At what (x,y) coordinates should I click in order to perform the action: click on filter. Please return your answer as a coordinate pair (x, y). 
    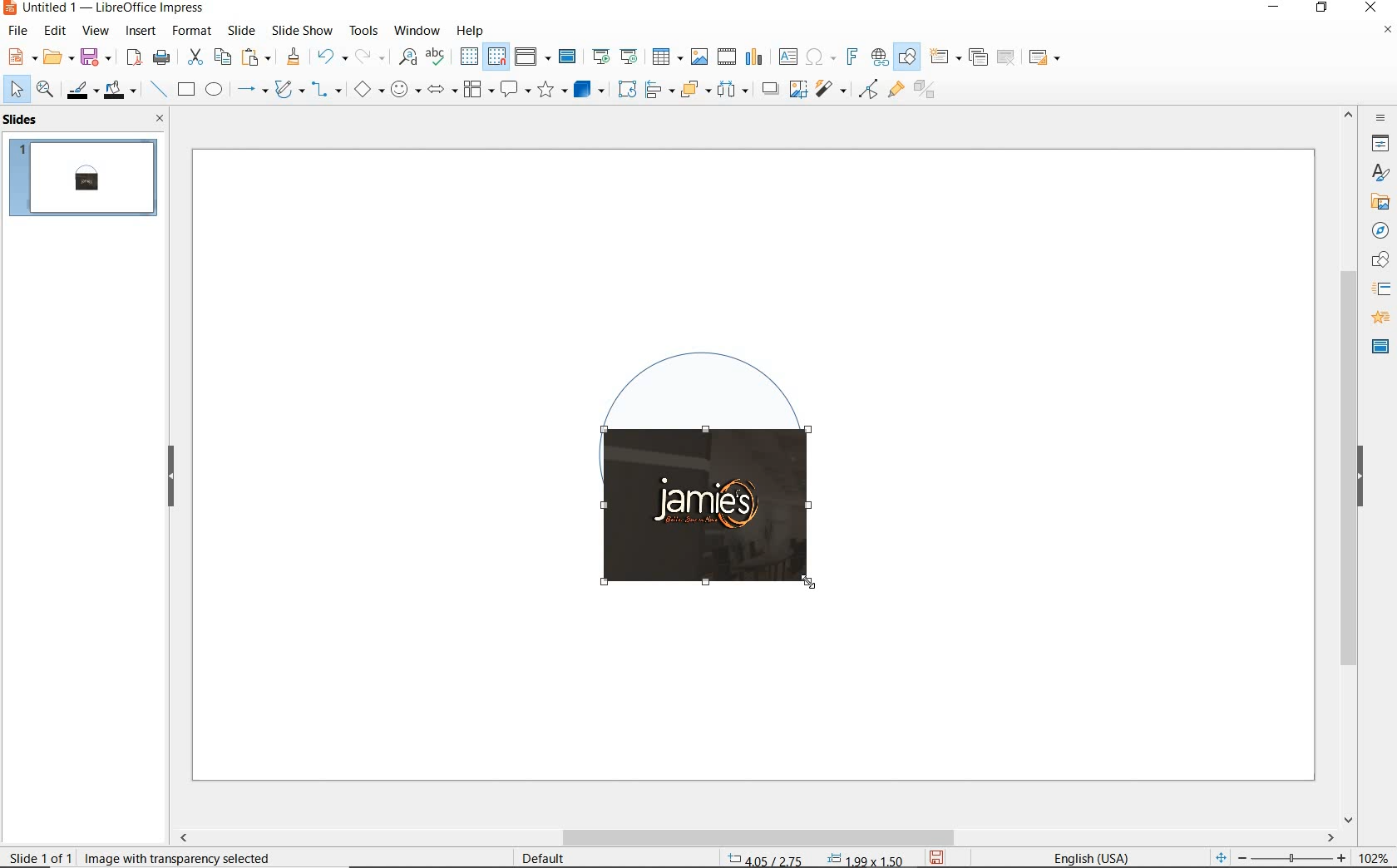
    Looking at the image, I should click on (868, 86).